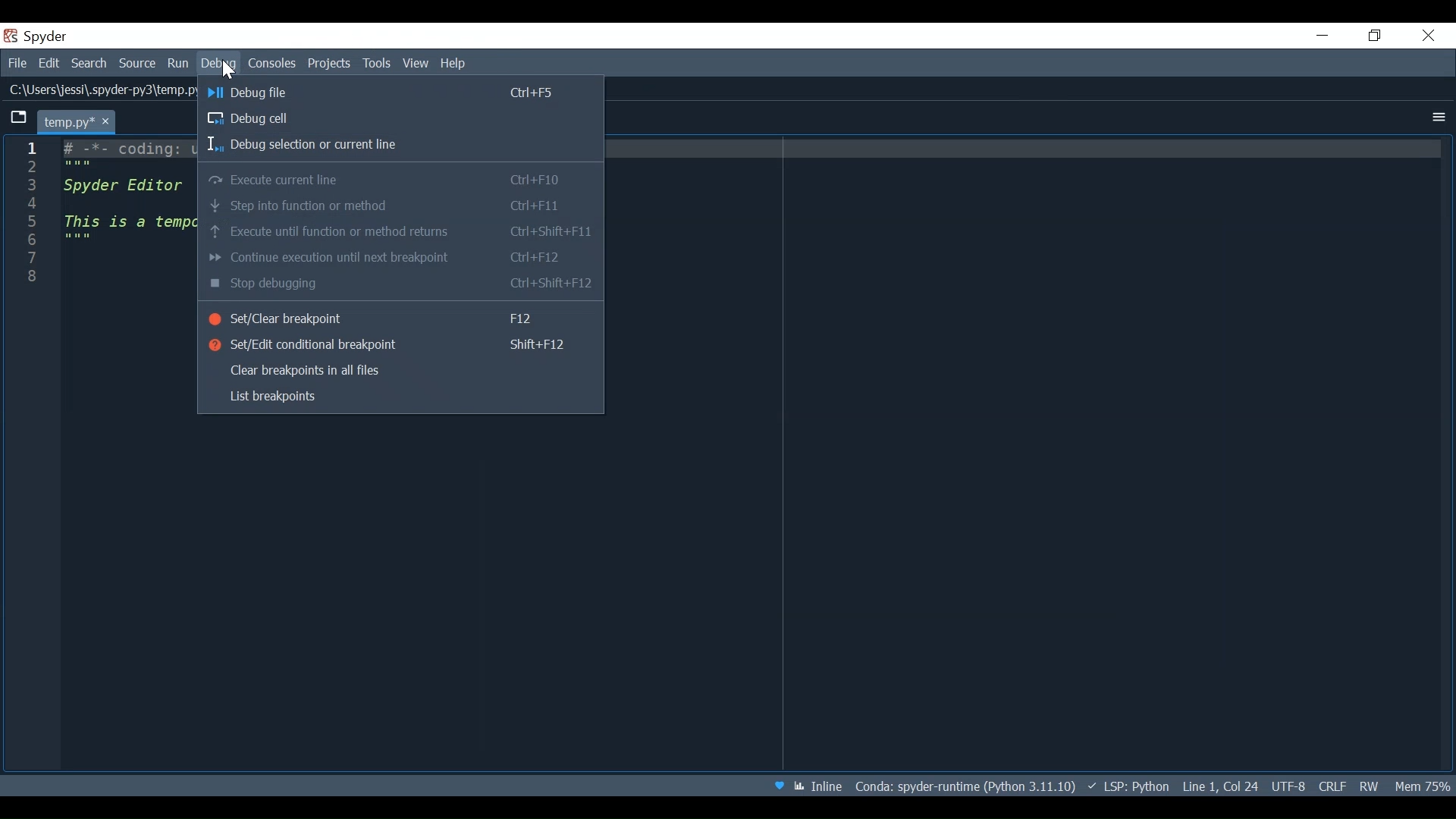  Describe the element at coordinates (76, 122) in the screenshot. I see `Current tab` at that location.